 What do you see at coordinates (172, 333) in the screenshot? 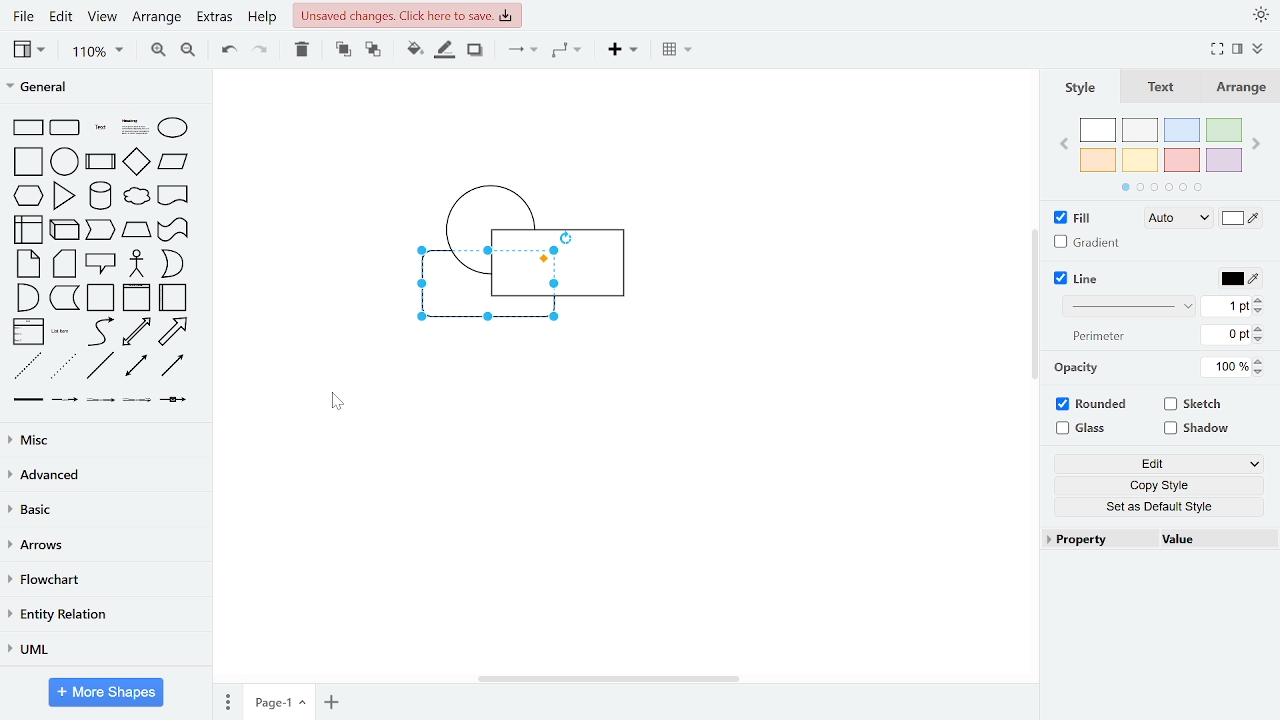
I see `arrow` at bounding box center [172, 333].